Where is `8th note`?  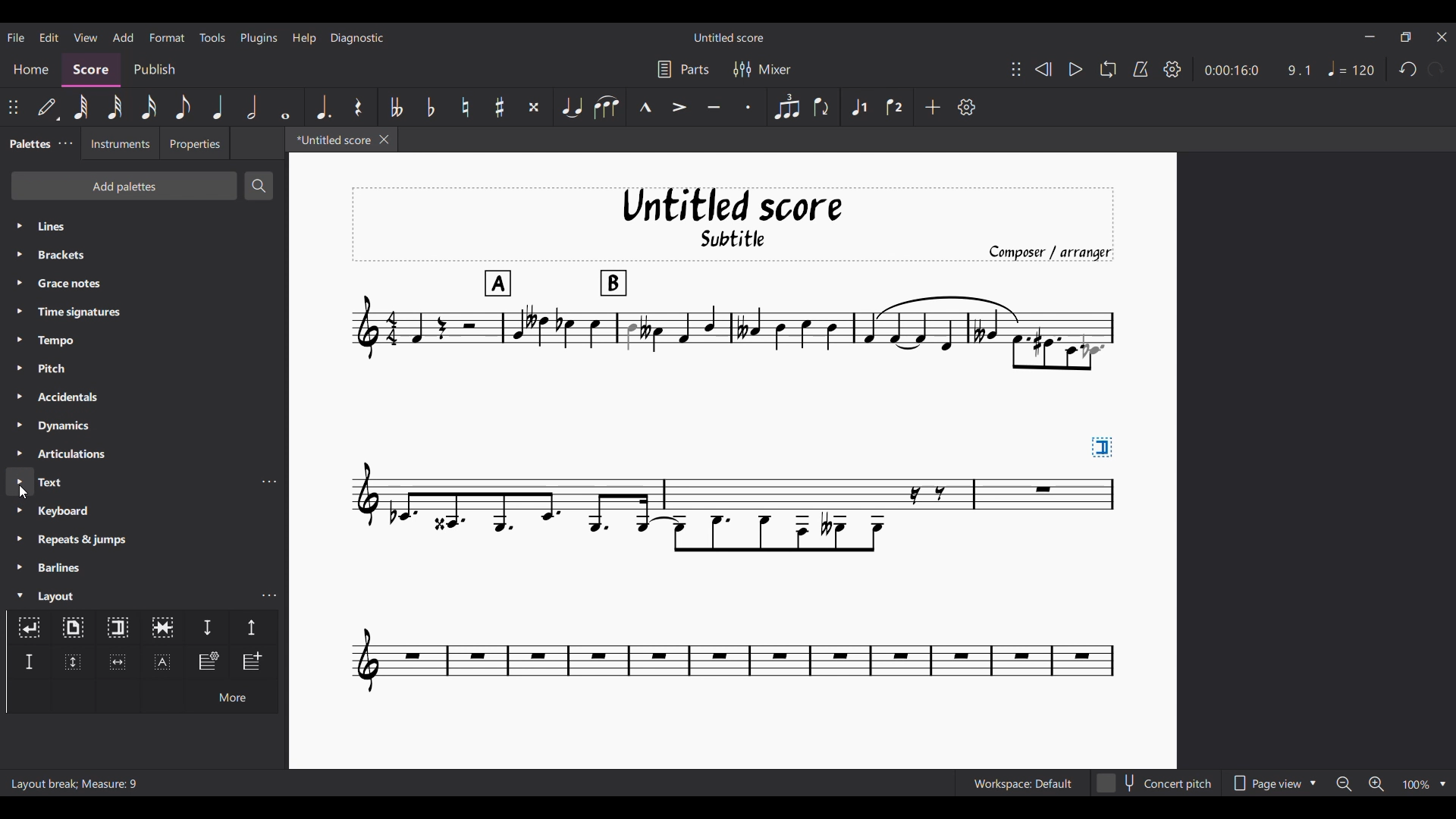
8th note is located at coordinates (183, 107).